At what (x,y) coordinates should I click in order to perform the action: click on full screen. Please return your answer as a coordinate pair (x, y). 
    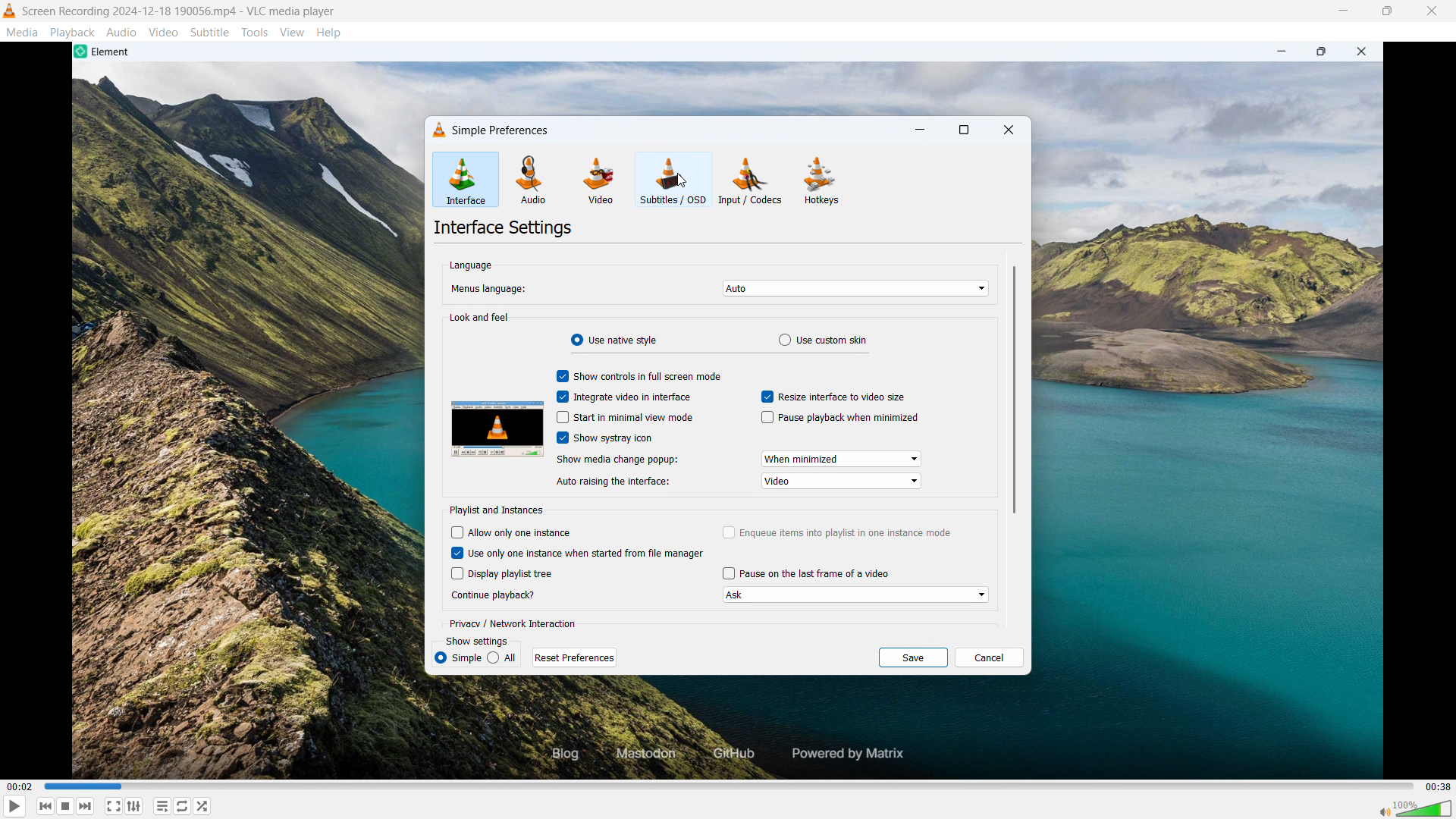
    Looking at the image, I should click on (114, 806).